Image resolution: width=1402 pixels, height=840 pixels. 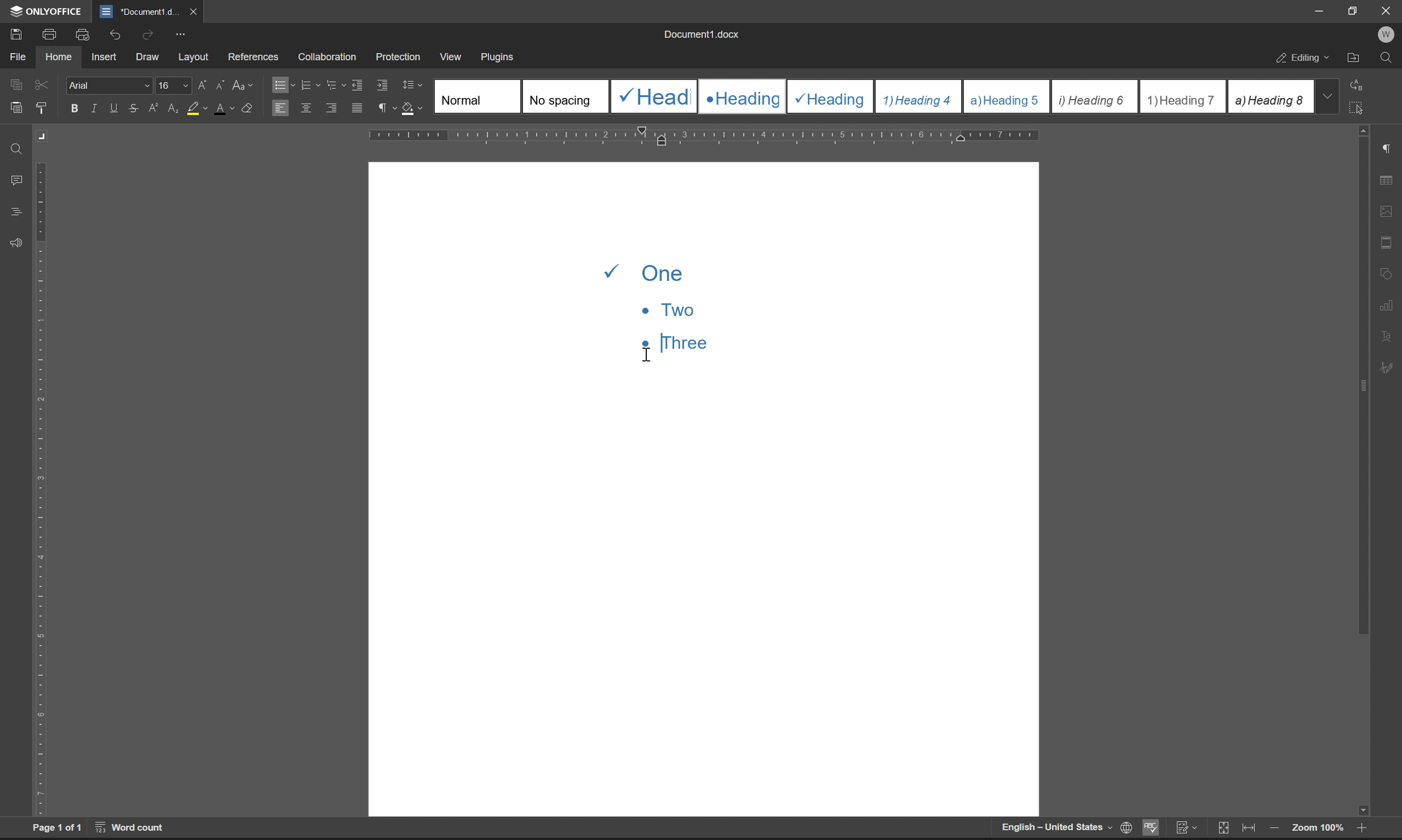 I want to click on Heading 2, so click(x=742, y=97).